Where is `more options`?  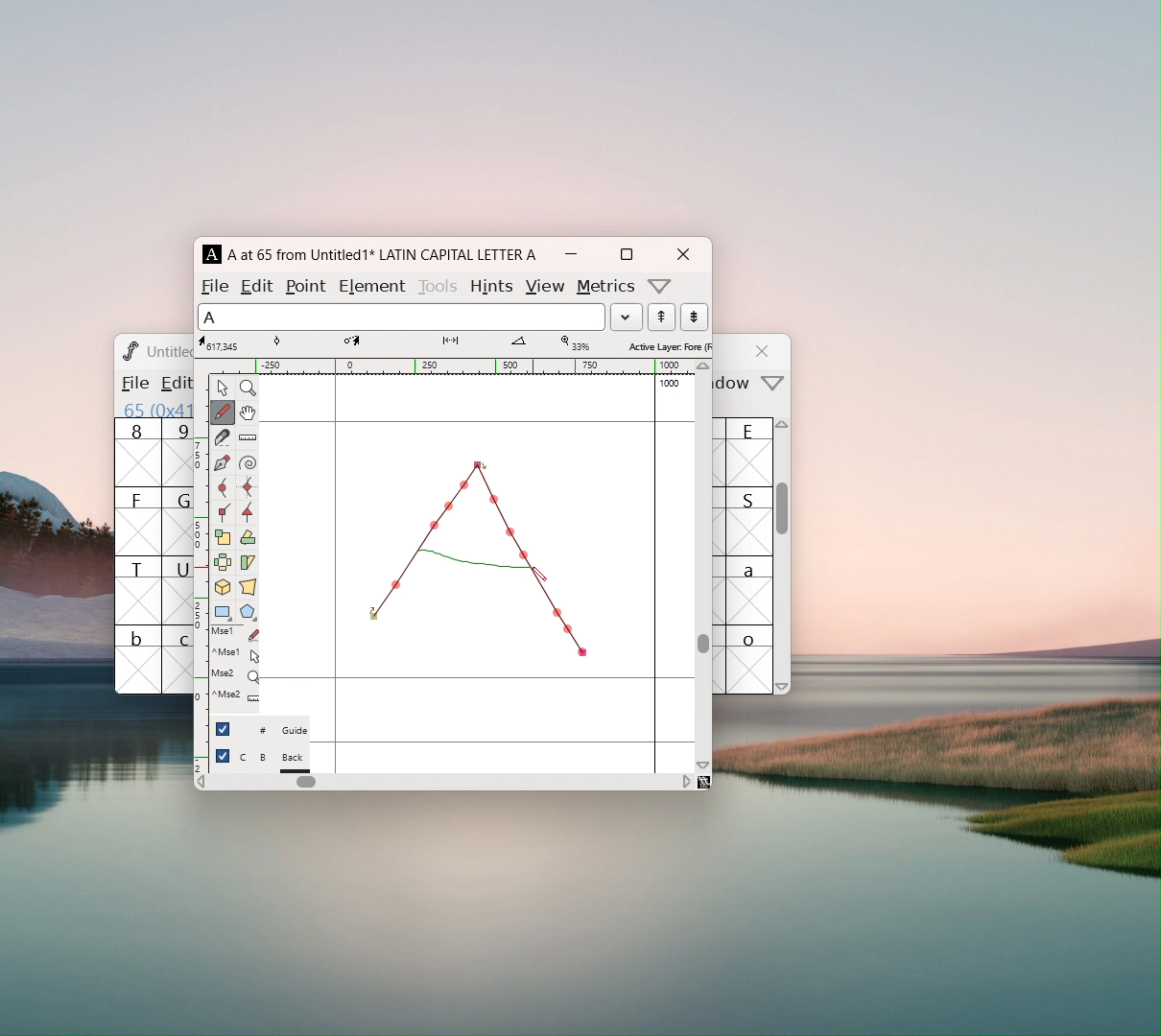
more options is located at coordinates (773, 385).